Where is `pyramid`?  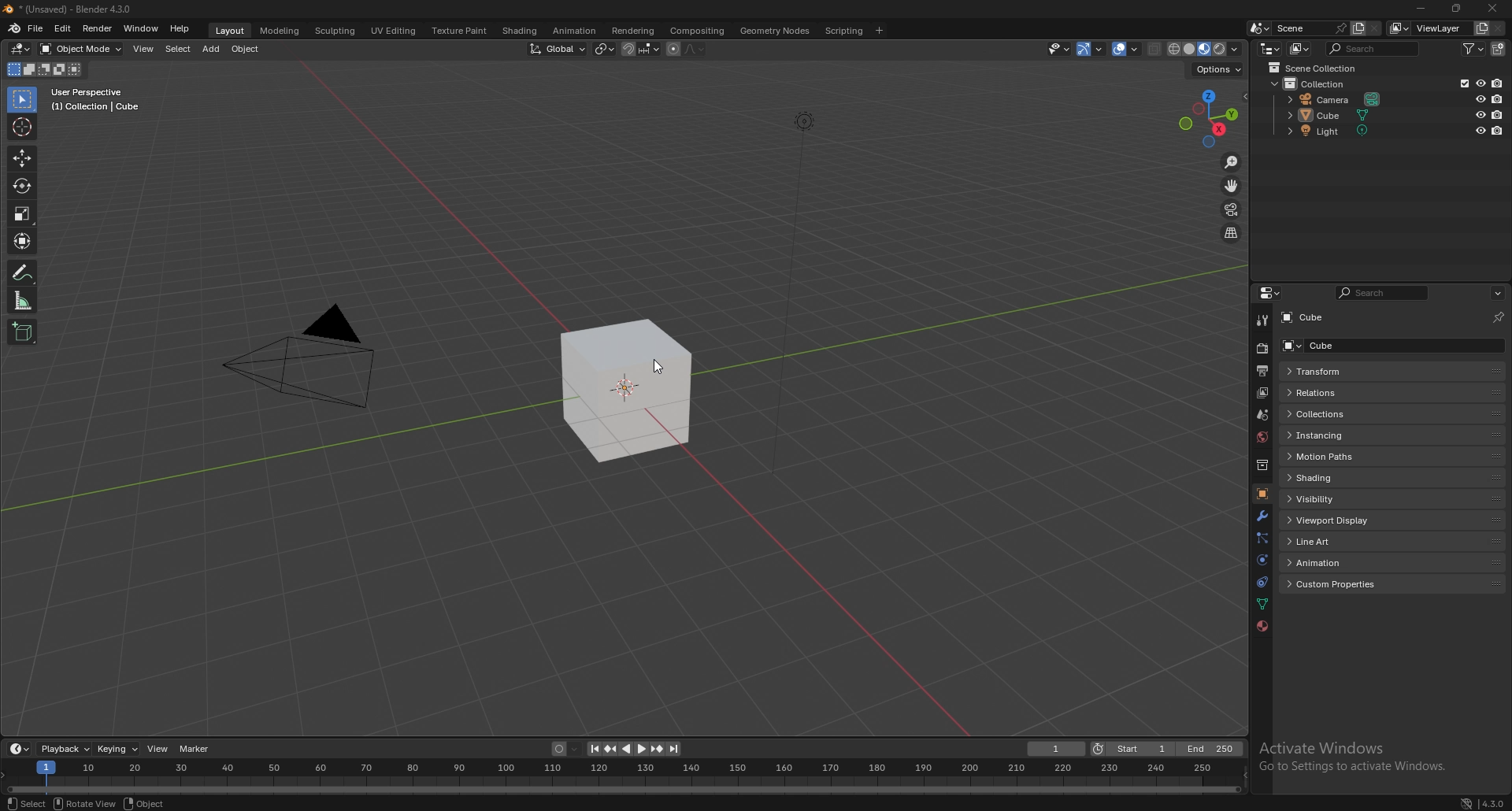
pyramid is located at coordinates (306, 357).